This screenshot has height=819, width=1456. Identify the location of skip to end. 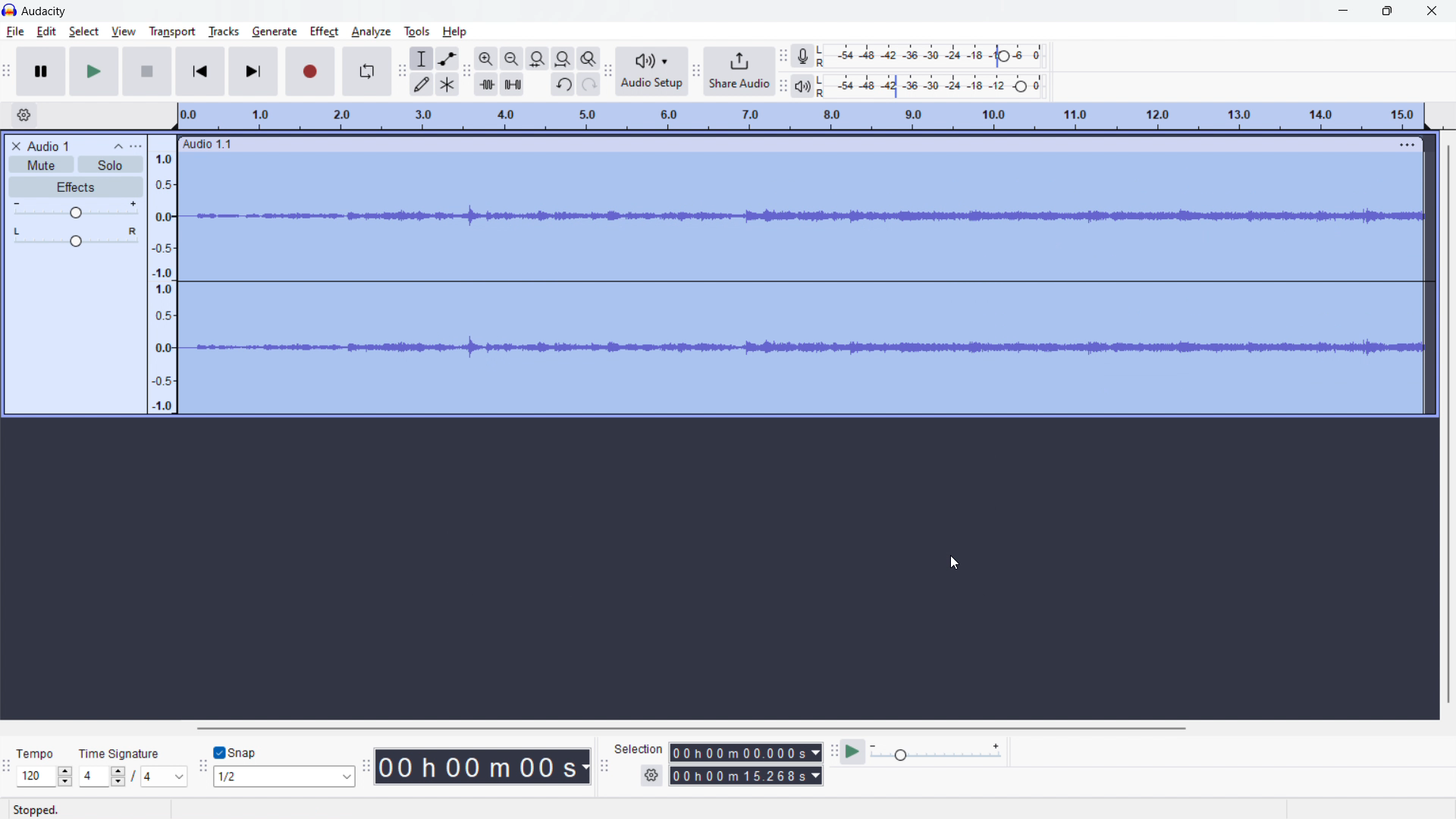
(255, 72).